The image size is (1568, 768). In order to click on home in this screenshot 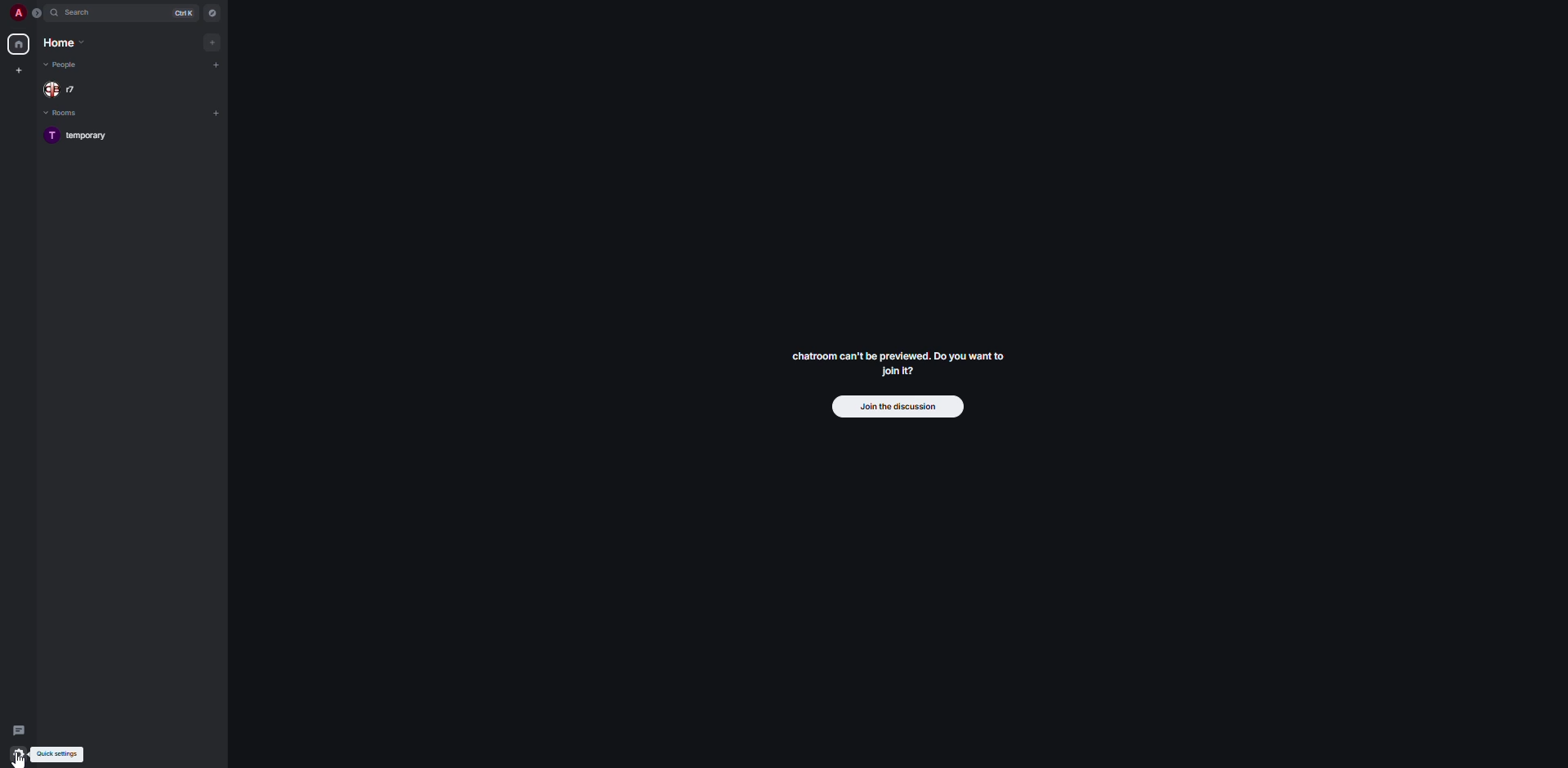, I will do `click(18, 46)`.